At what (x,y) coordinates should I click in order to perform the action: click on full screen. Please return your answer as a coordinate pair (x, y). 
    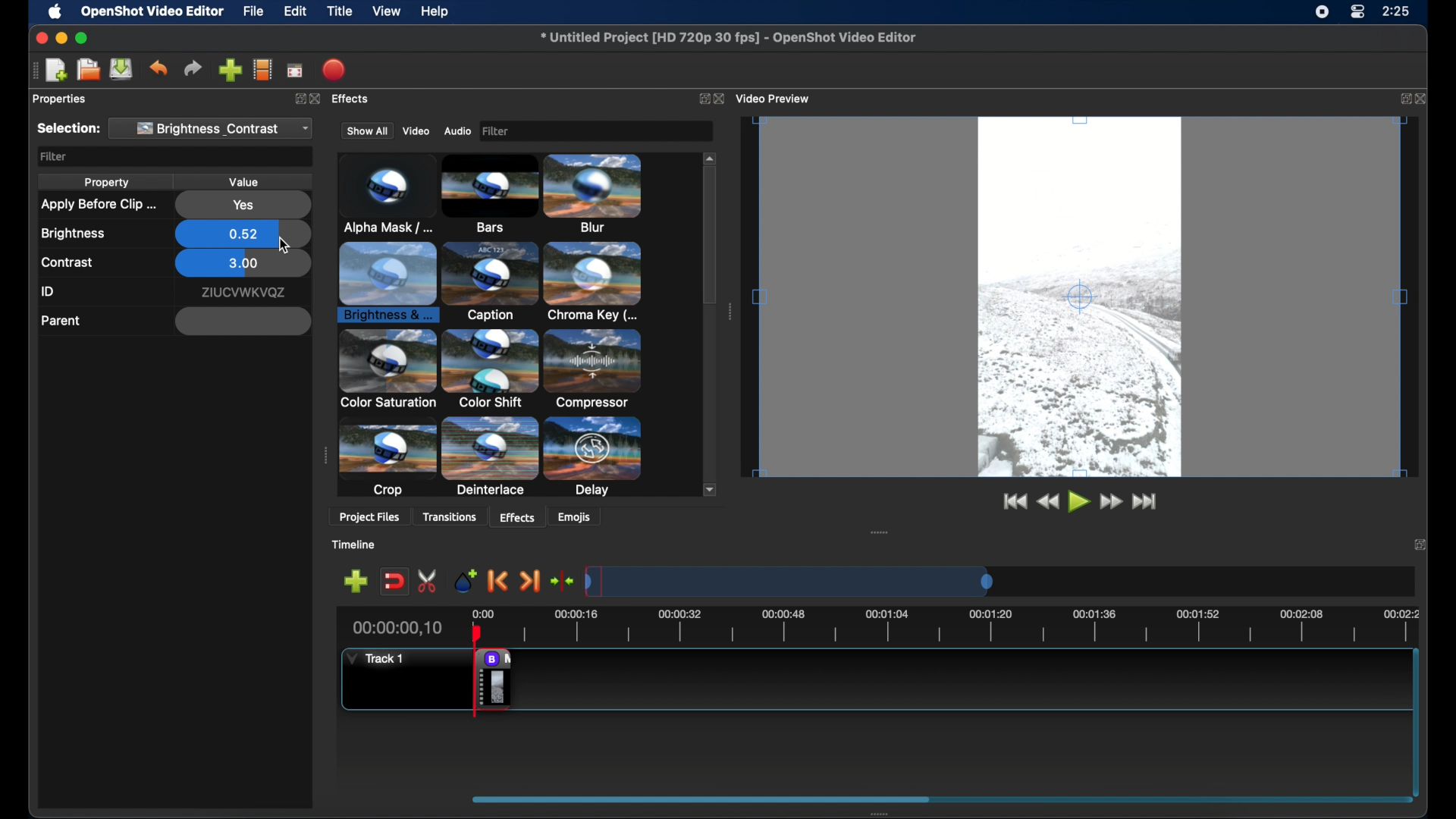
    Looking at the image, I should click on (295, 71).